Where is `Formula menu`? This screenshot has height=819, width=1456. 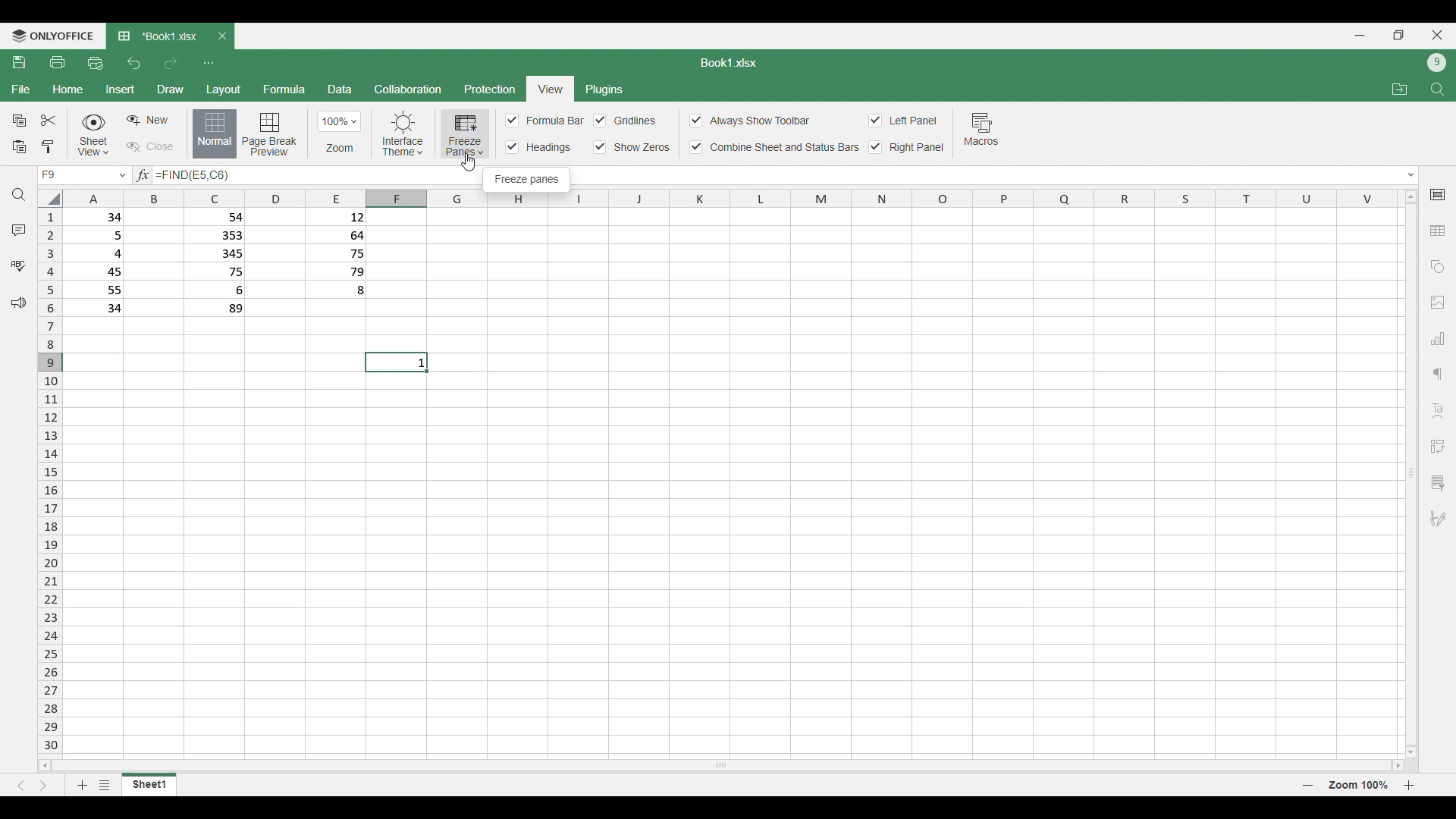
Formula menu is located at coordinates (284, 91).